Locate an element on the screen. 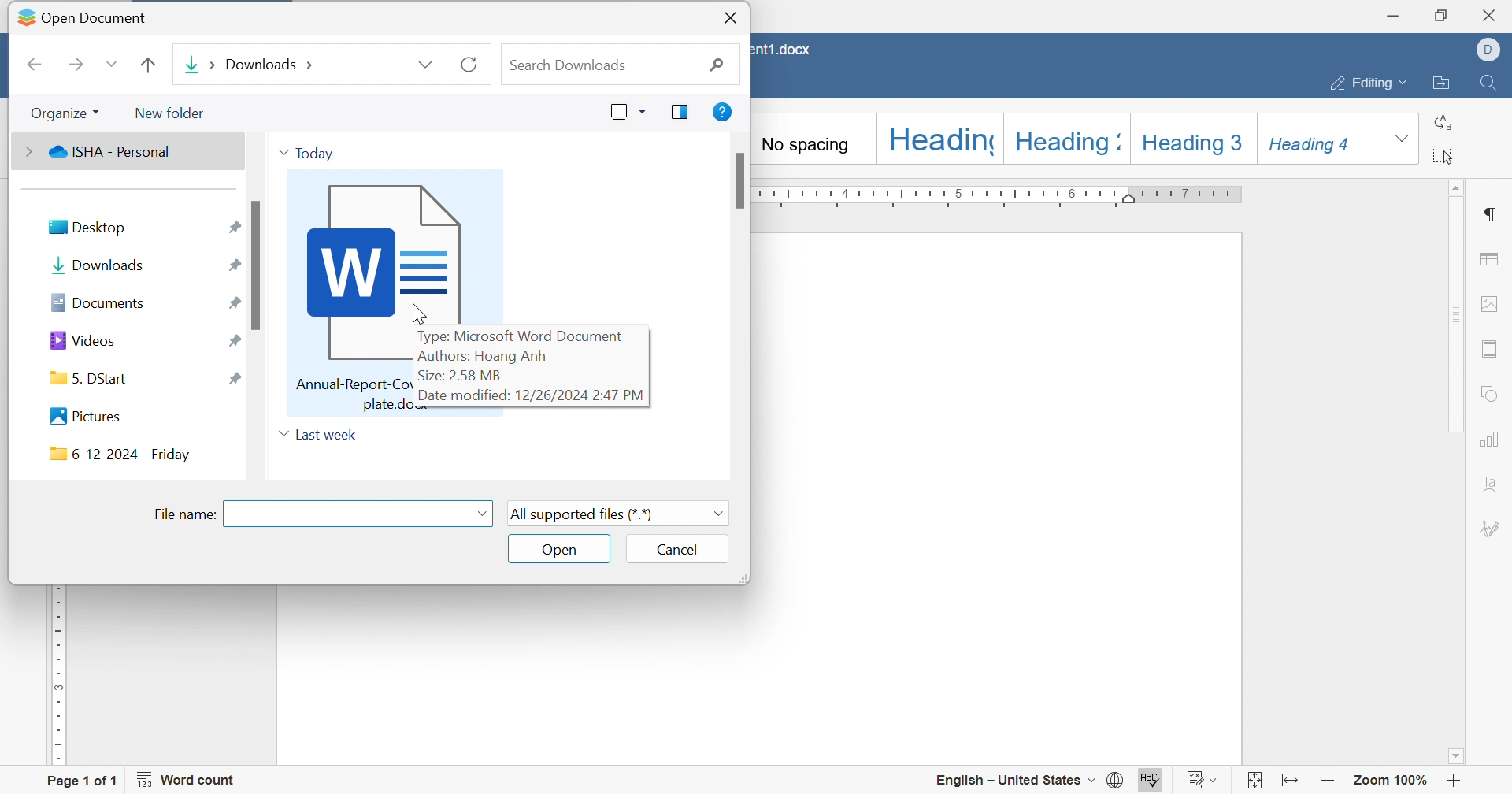 The width and height of the screenshot is (1512, 794). ISHA - personal is located at coordinates (100, 150).